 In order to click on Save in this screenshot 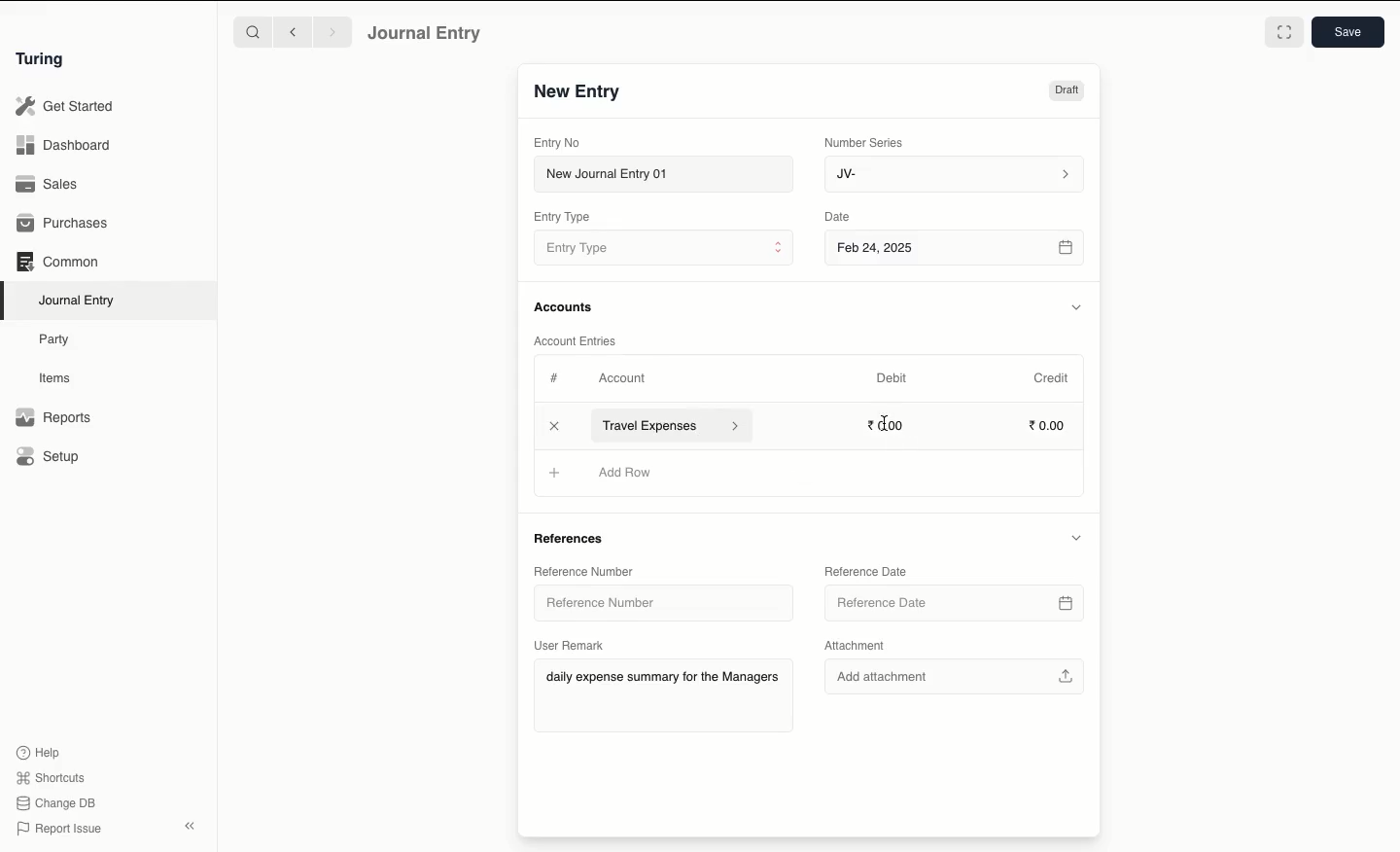, I will do `click(1348, 32)`.